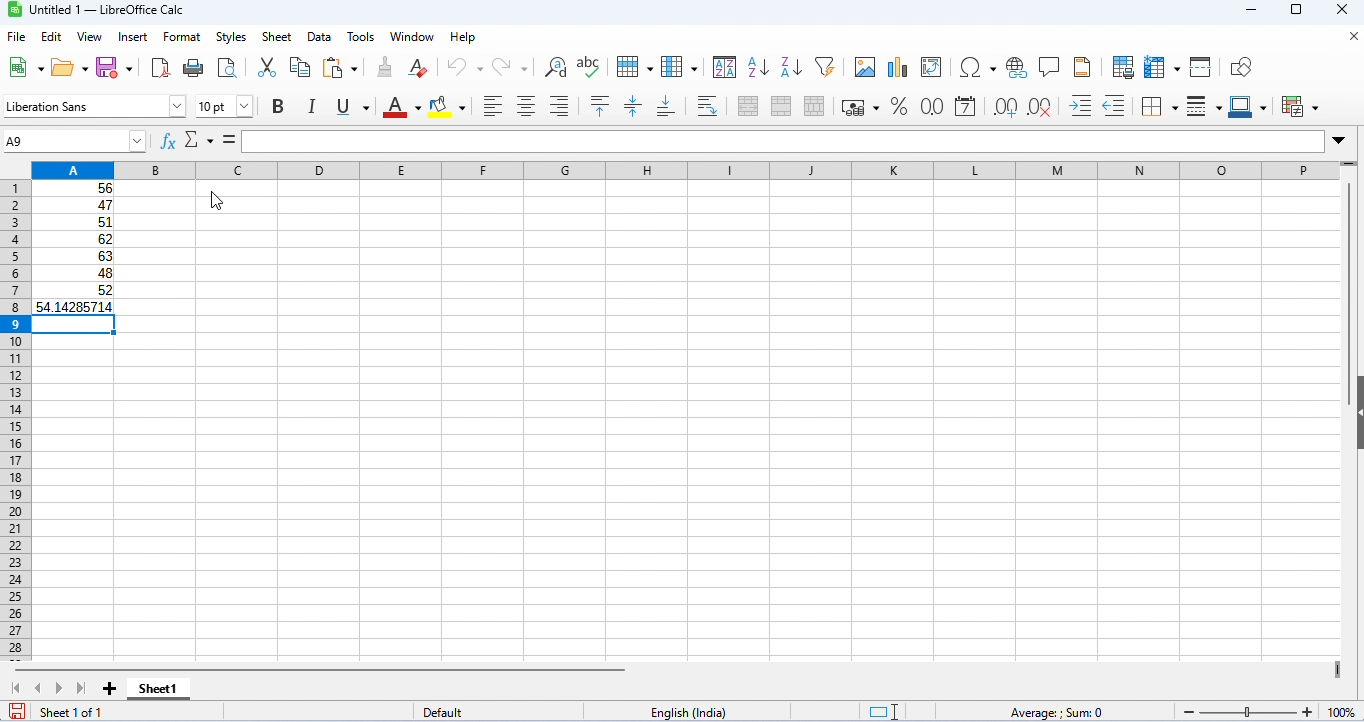 This screenshot has height=722, width=1364. I want to click on conditional, so click(1301, 106).